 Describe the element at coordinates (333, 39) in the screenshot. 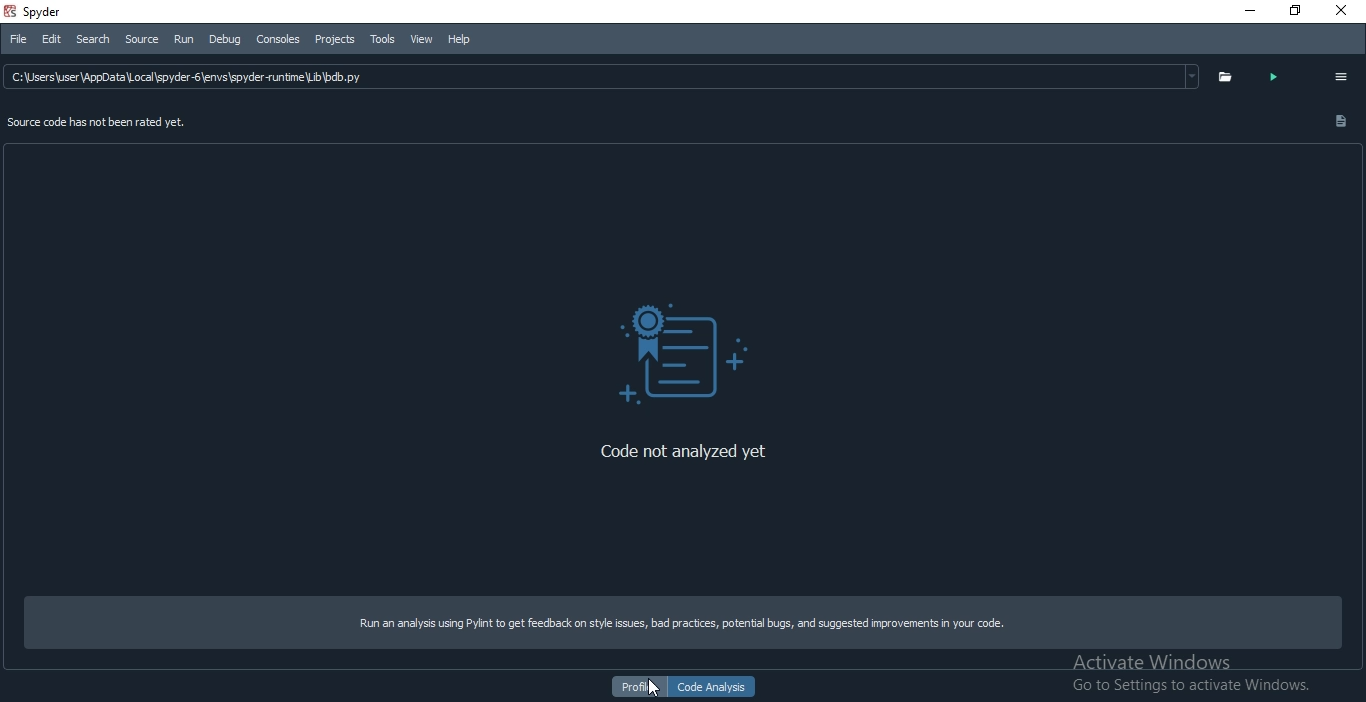

I see `Projects` at that location.